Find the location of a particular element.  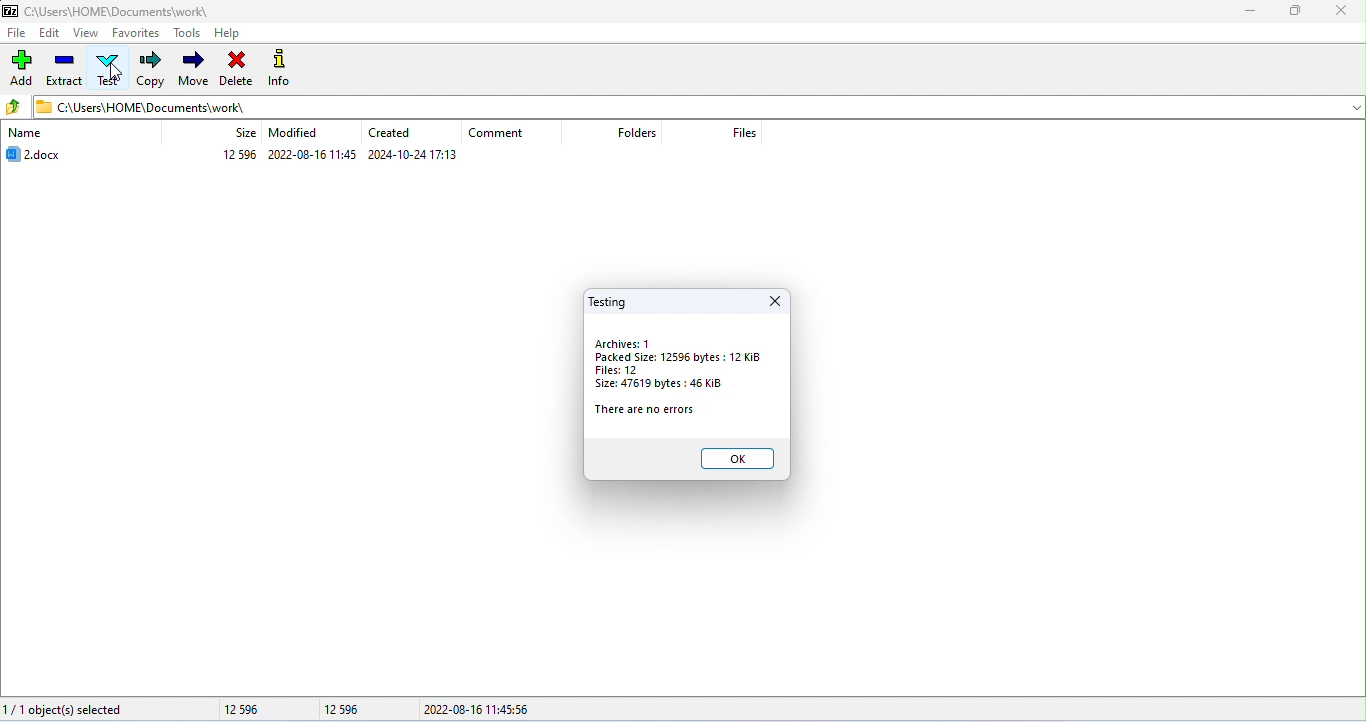

created is located at coordinates (393, 132).